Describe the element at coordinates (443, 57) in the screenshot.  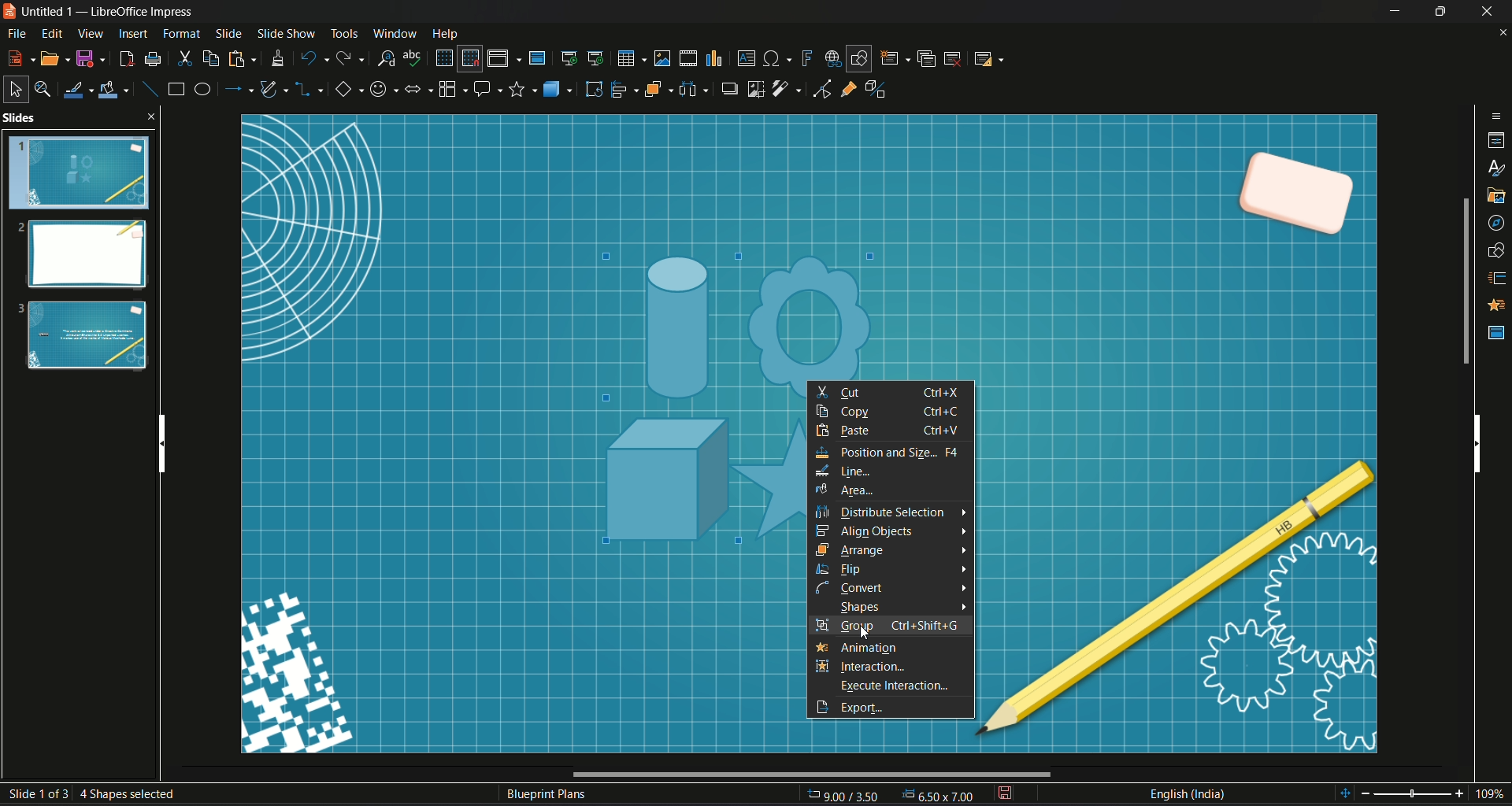
I see `display grid` at that location.